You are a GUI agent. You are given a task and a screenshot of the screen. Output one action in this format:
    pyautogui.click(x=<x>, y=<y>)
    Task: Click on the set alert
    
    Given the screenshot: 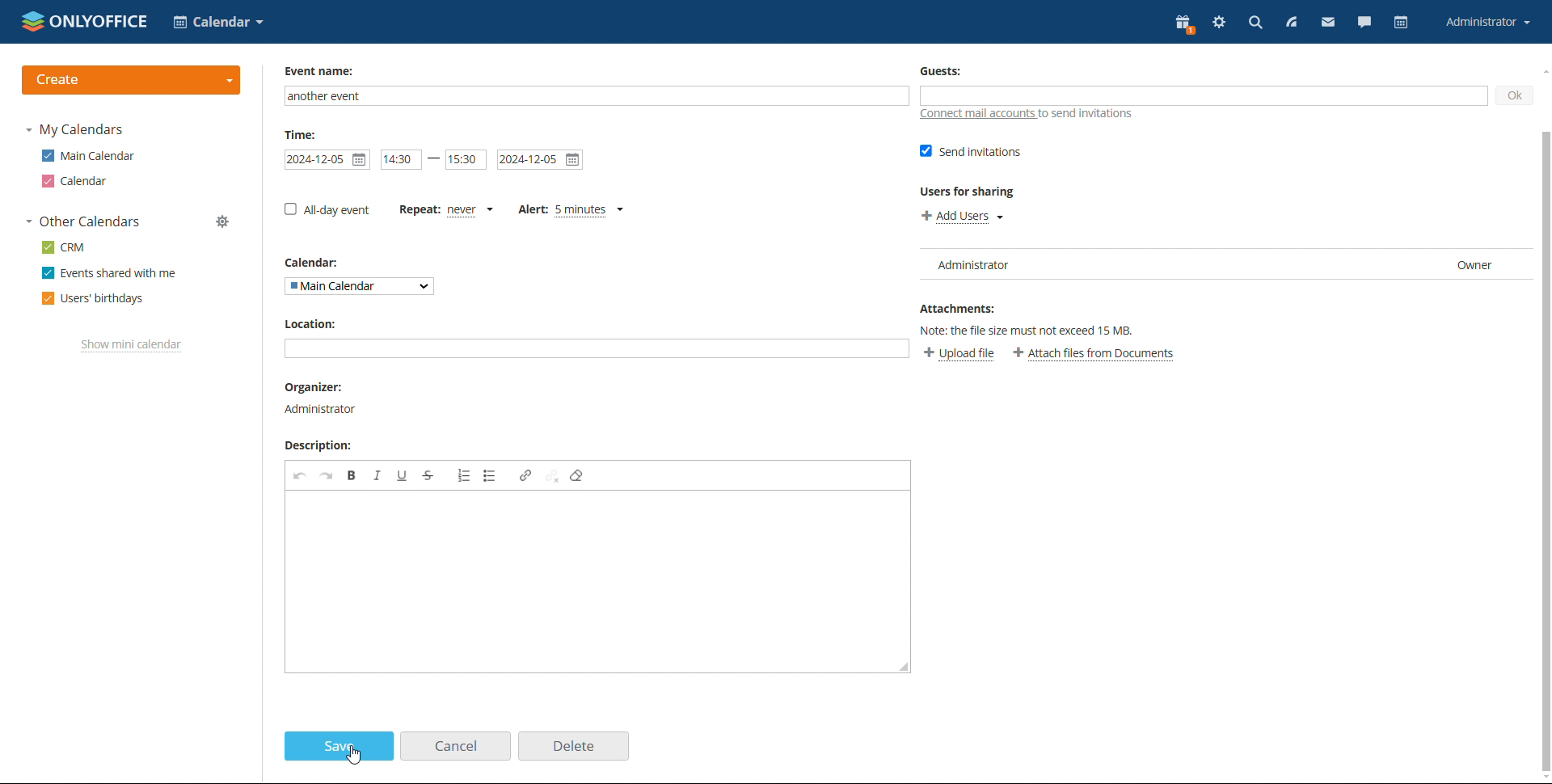 What is the action you would take?
    pyautogui.click(x=570, y=209)
    